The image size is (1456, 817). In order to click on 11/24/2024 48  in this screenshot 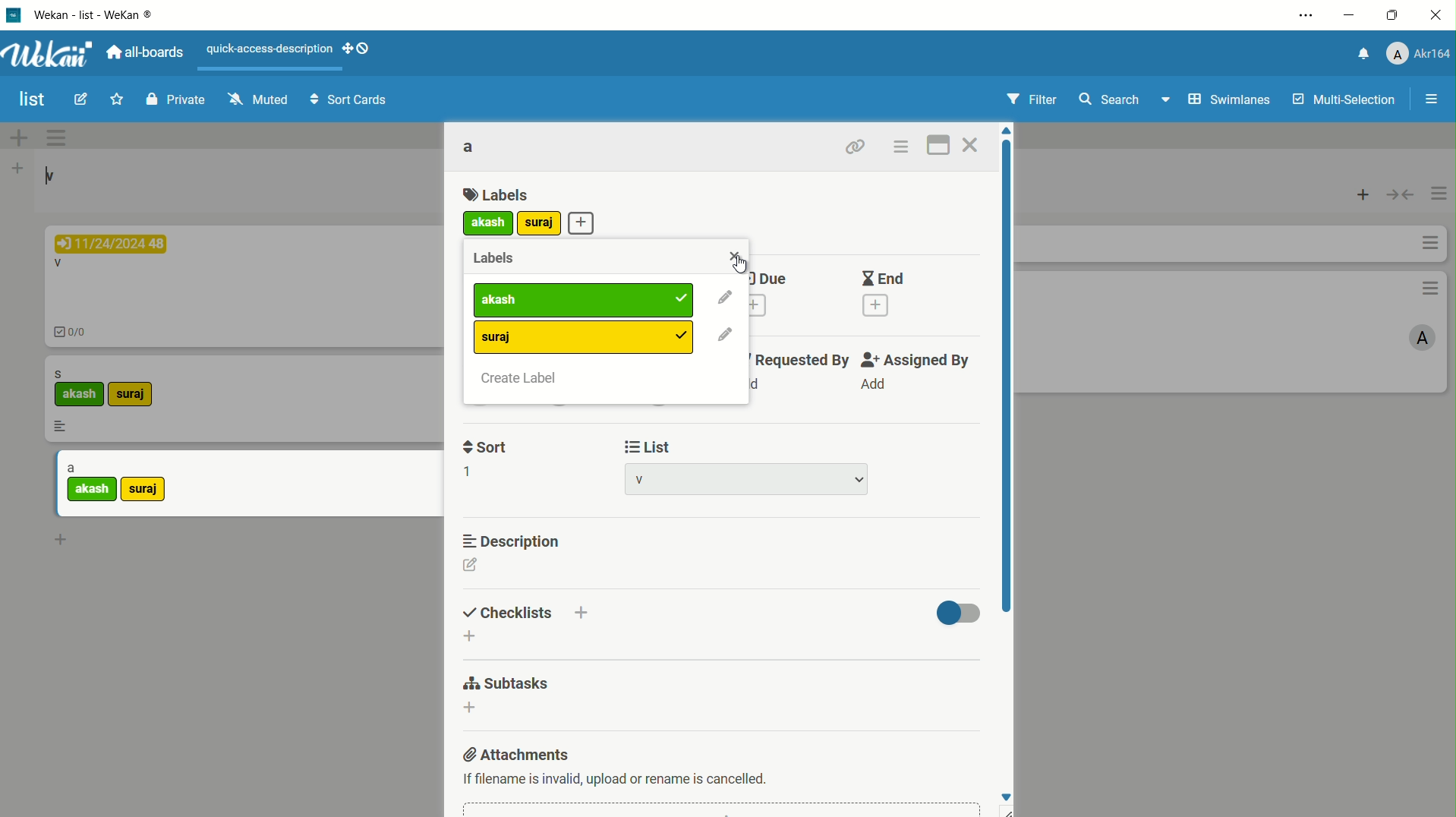, I will do `click(117, 241)`.